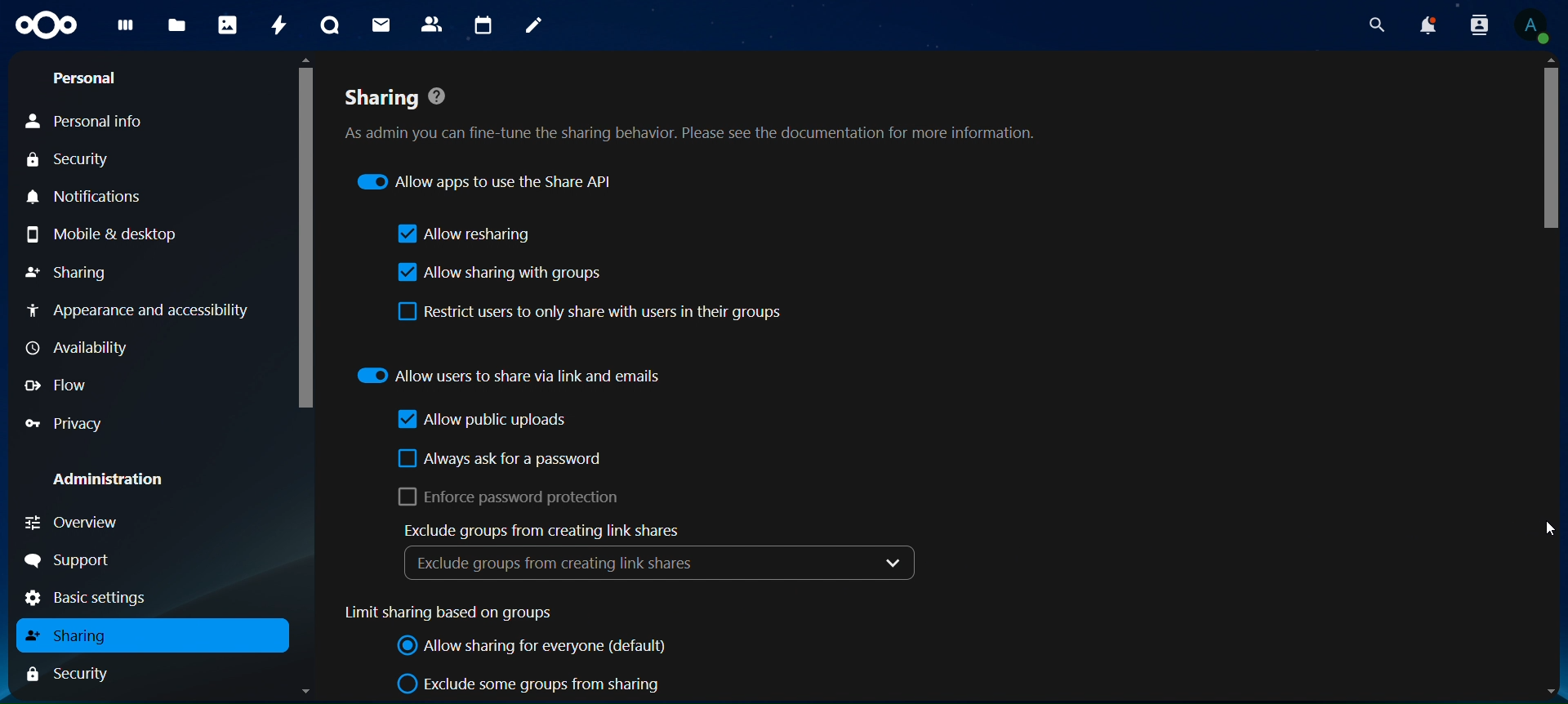  Describe the element at coordinates (88, 77) in the screenshot. I see `personal` at that location.